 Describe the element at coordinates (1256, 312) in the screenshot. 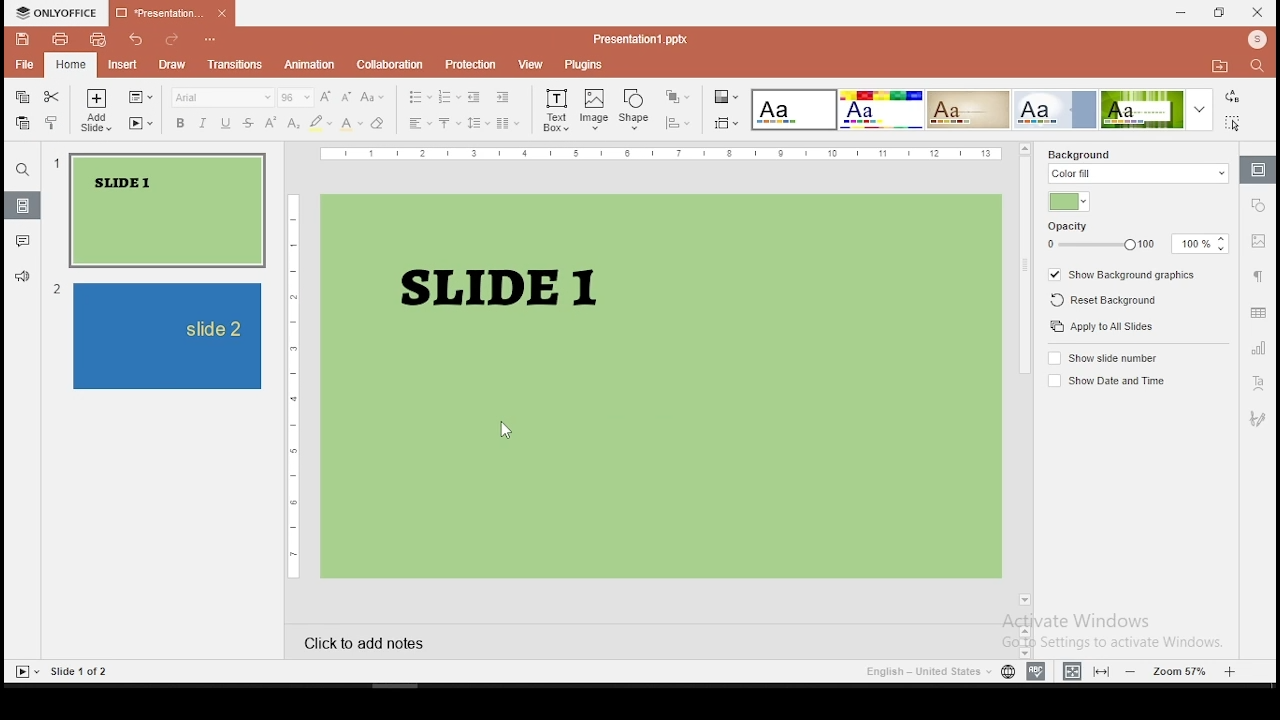

I see `table settings` at that location.